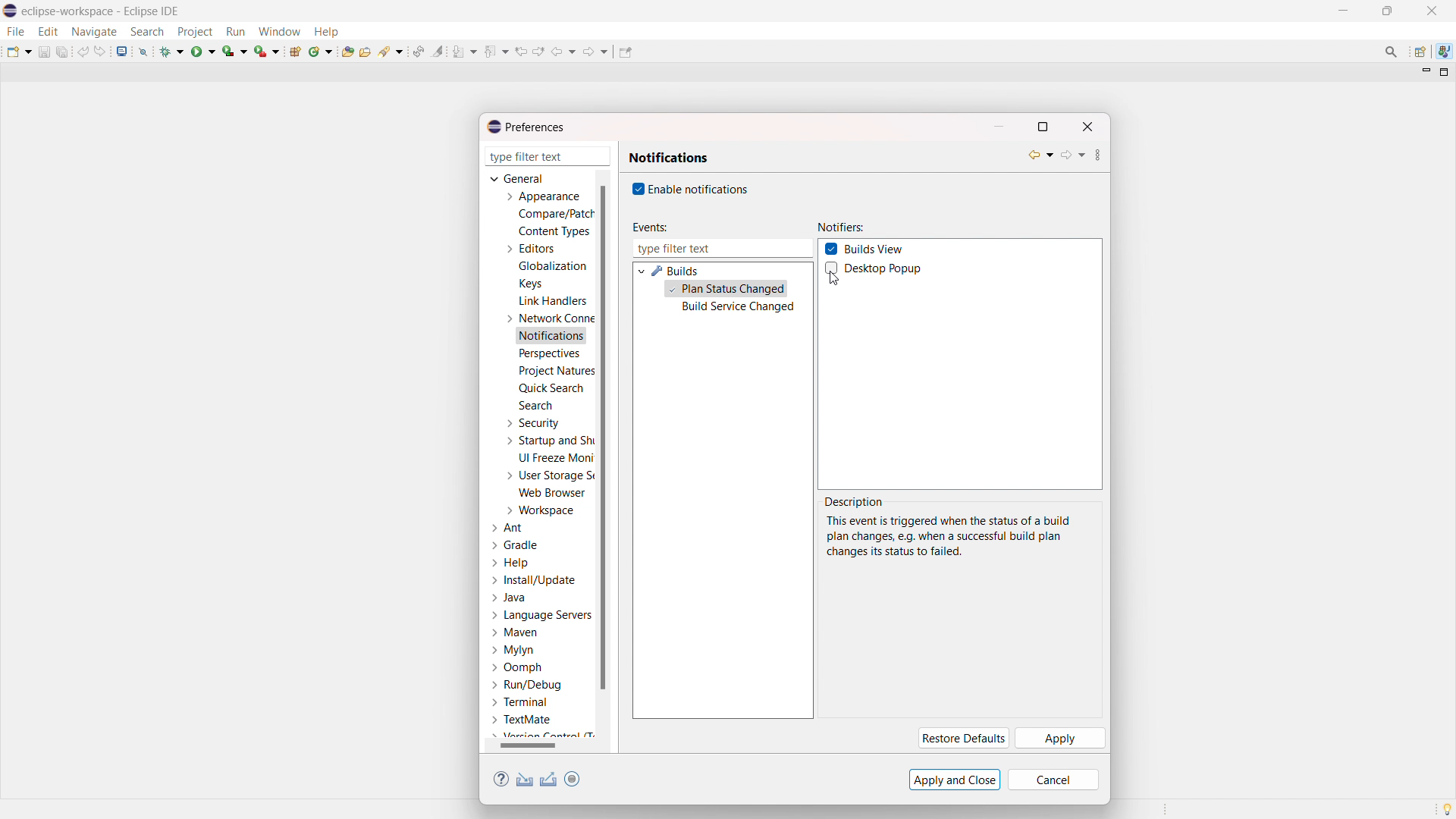 This screenshot has width=1456, height=819. What do you see at coordinates (83, 52) in the screenshot?
I see `undo` at bounding box center [83, 52].